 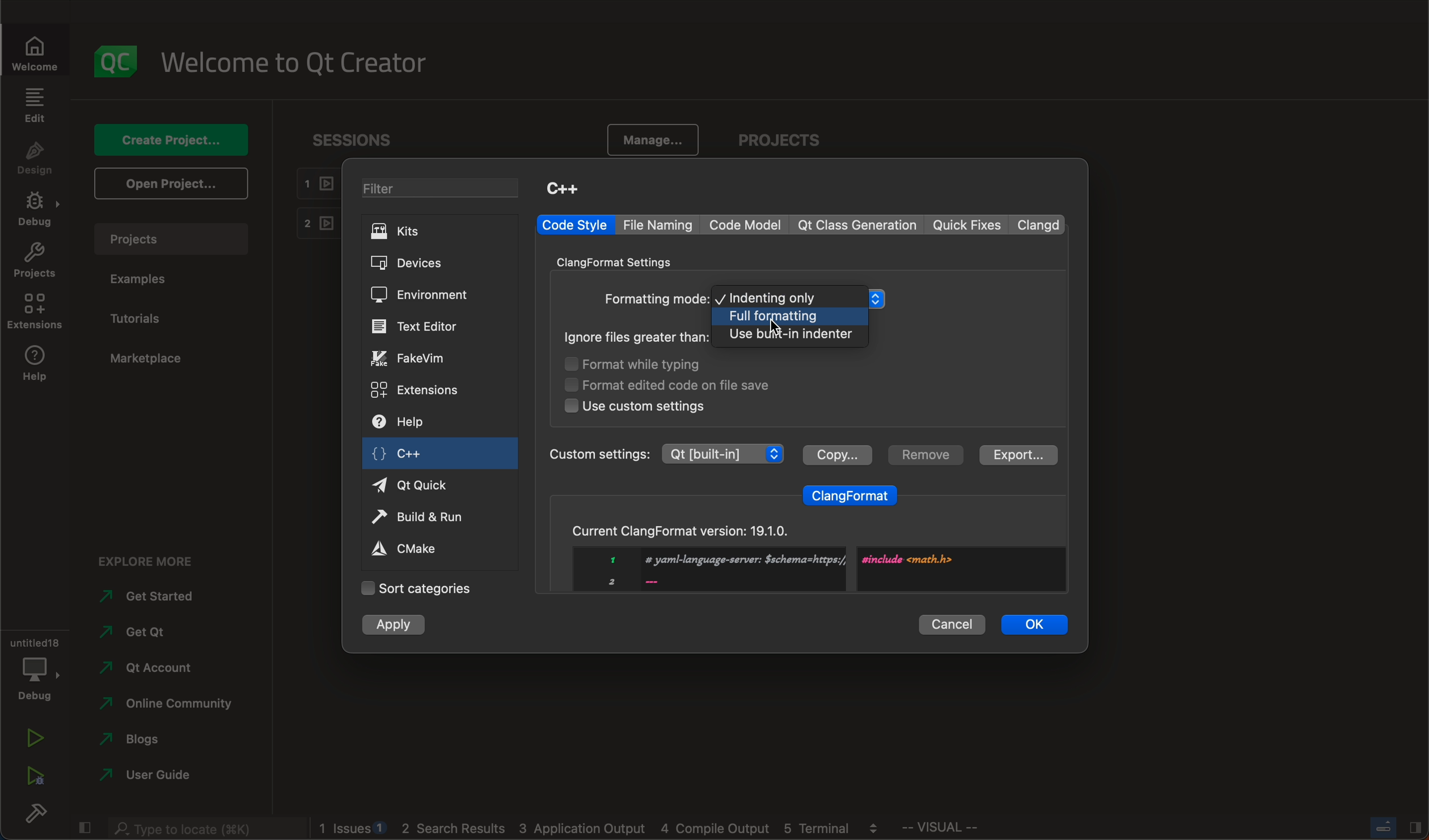 I want to click on current format version, so click(x=804, y=551).